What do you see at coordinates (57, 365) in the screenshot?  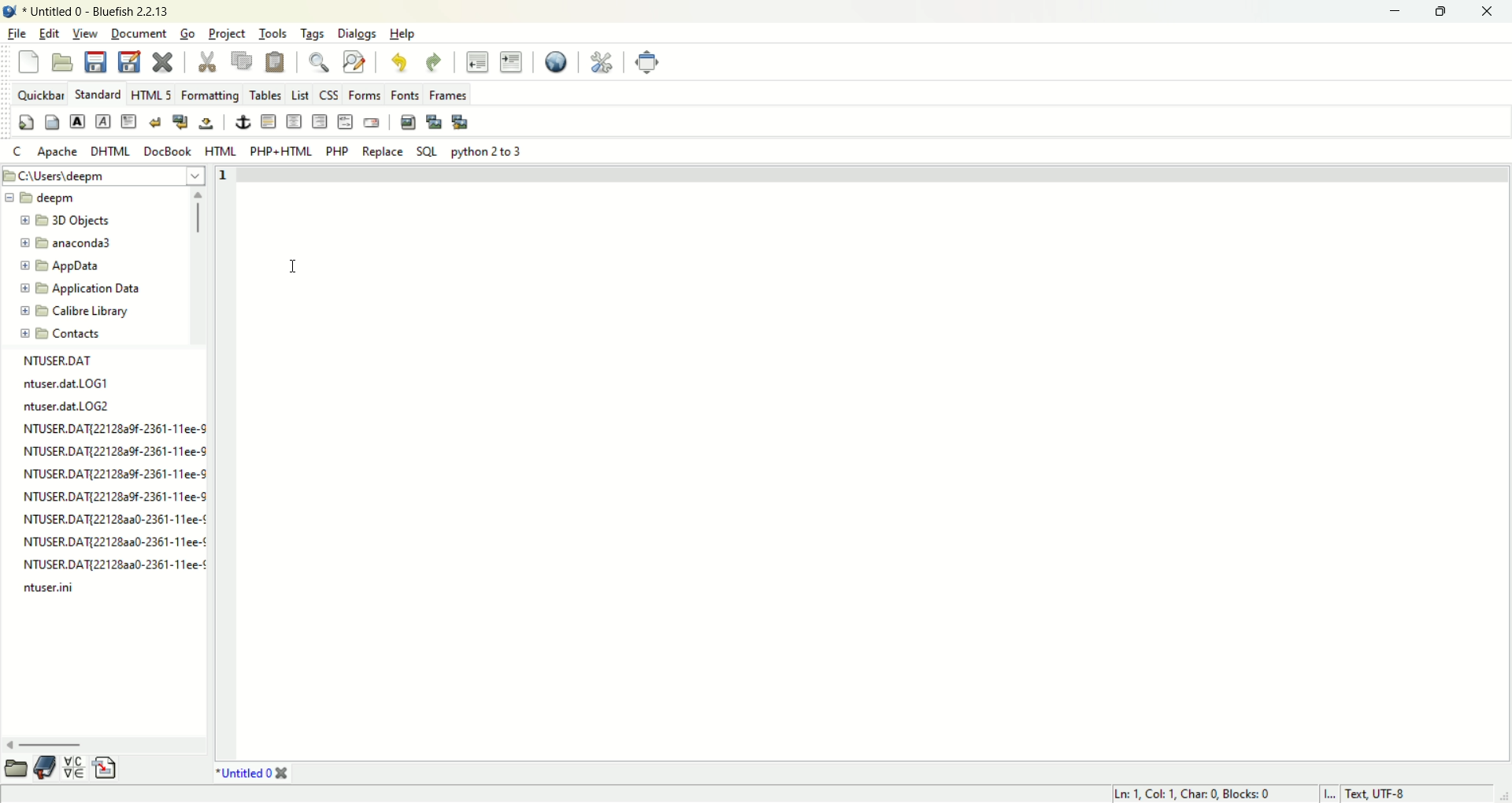 I see `NTUSER.DAT` at bounding box center [57, 365].